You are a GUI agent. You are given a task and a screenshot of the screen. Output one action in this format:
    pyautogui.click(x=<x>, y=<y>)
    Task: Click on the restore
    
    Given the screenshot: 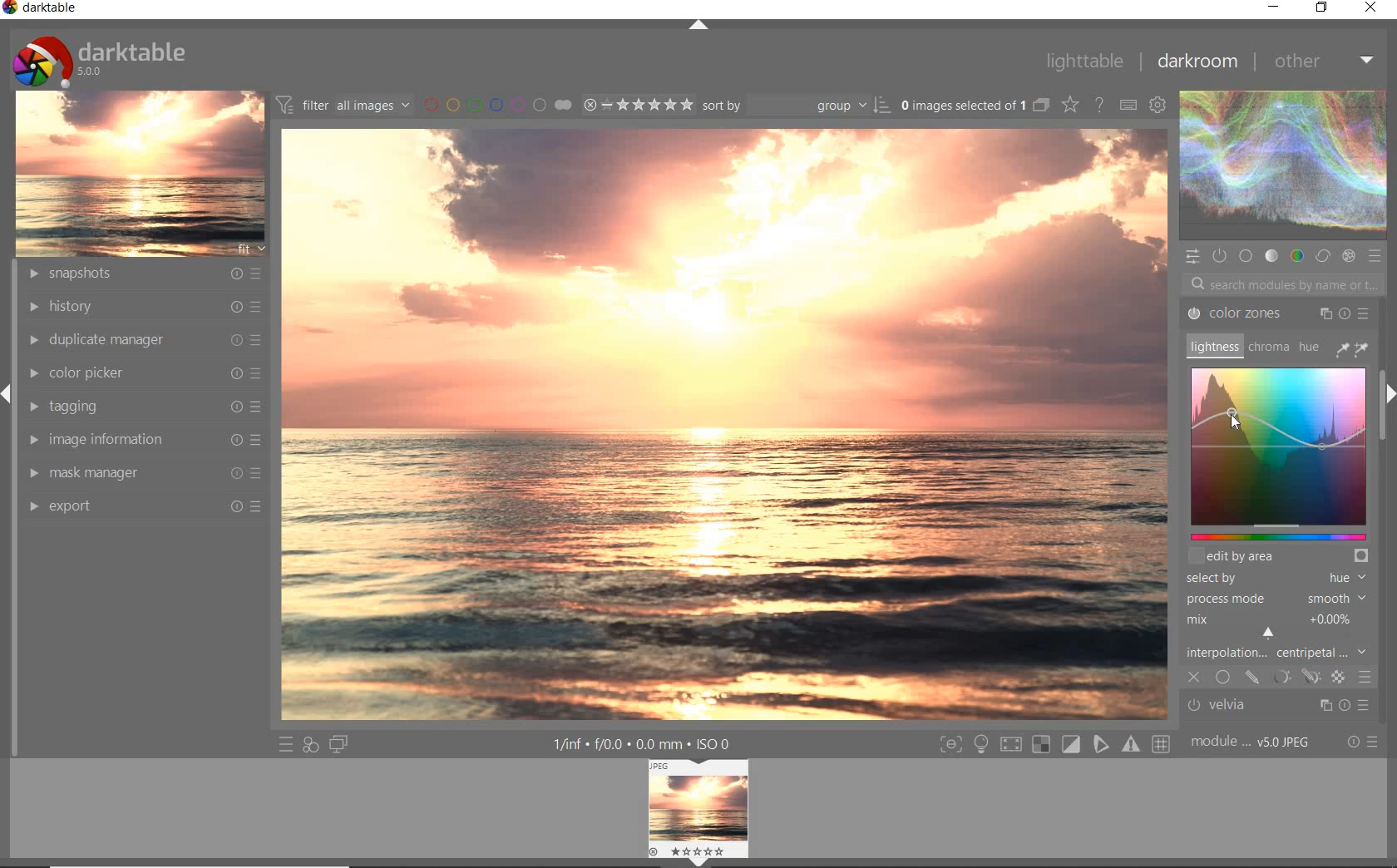 What is the action you would take?
    pyautogui.click(x=1321, y=8)
    